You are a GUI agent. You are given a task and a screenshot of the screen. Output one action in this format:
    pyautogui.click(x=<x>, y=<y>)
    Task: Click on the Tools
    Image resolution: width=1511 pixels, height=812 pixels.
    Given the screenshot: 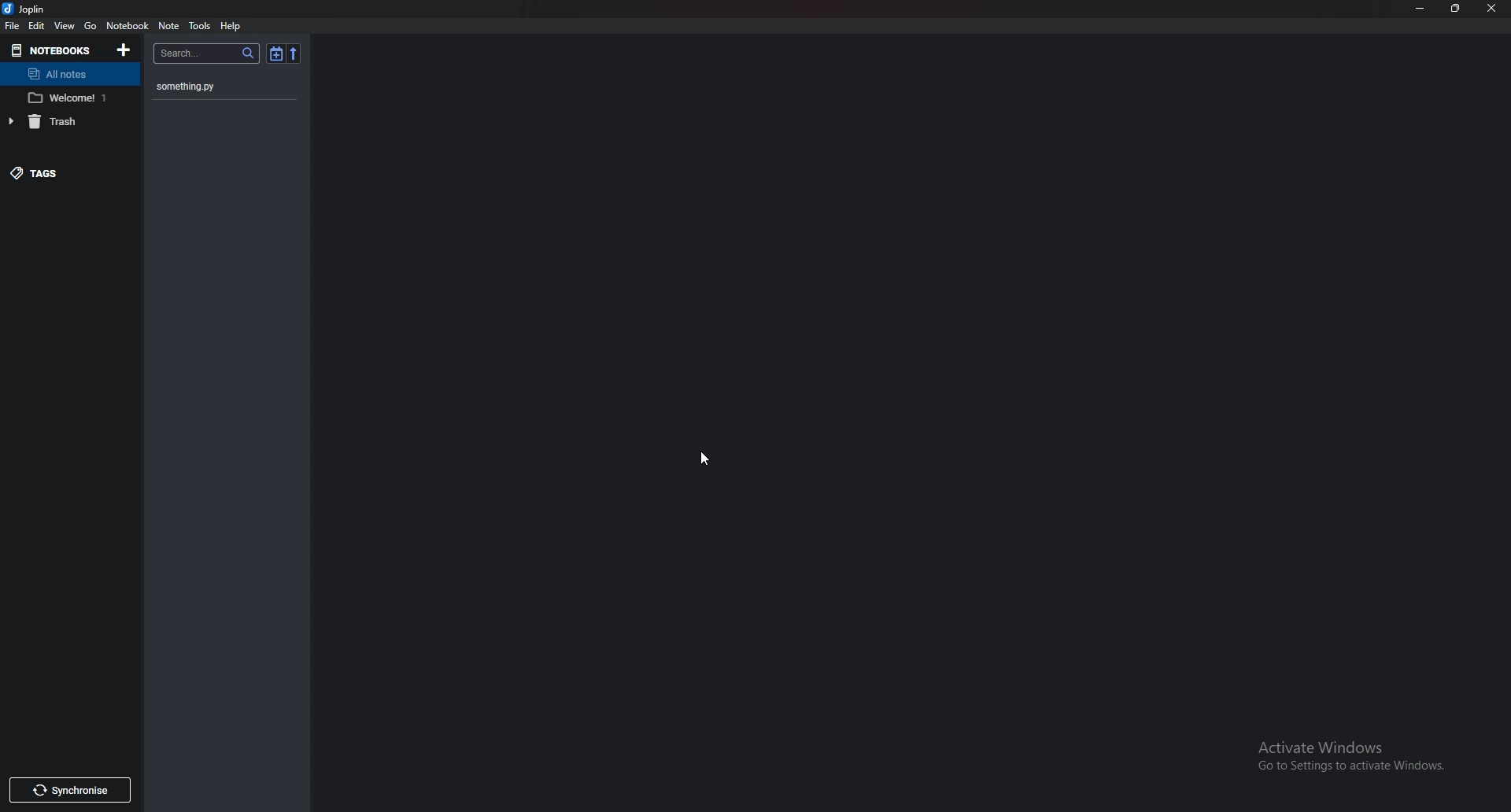 What is the action you would take?
    pyautogui.click(x=200, y=26)
    